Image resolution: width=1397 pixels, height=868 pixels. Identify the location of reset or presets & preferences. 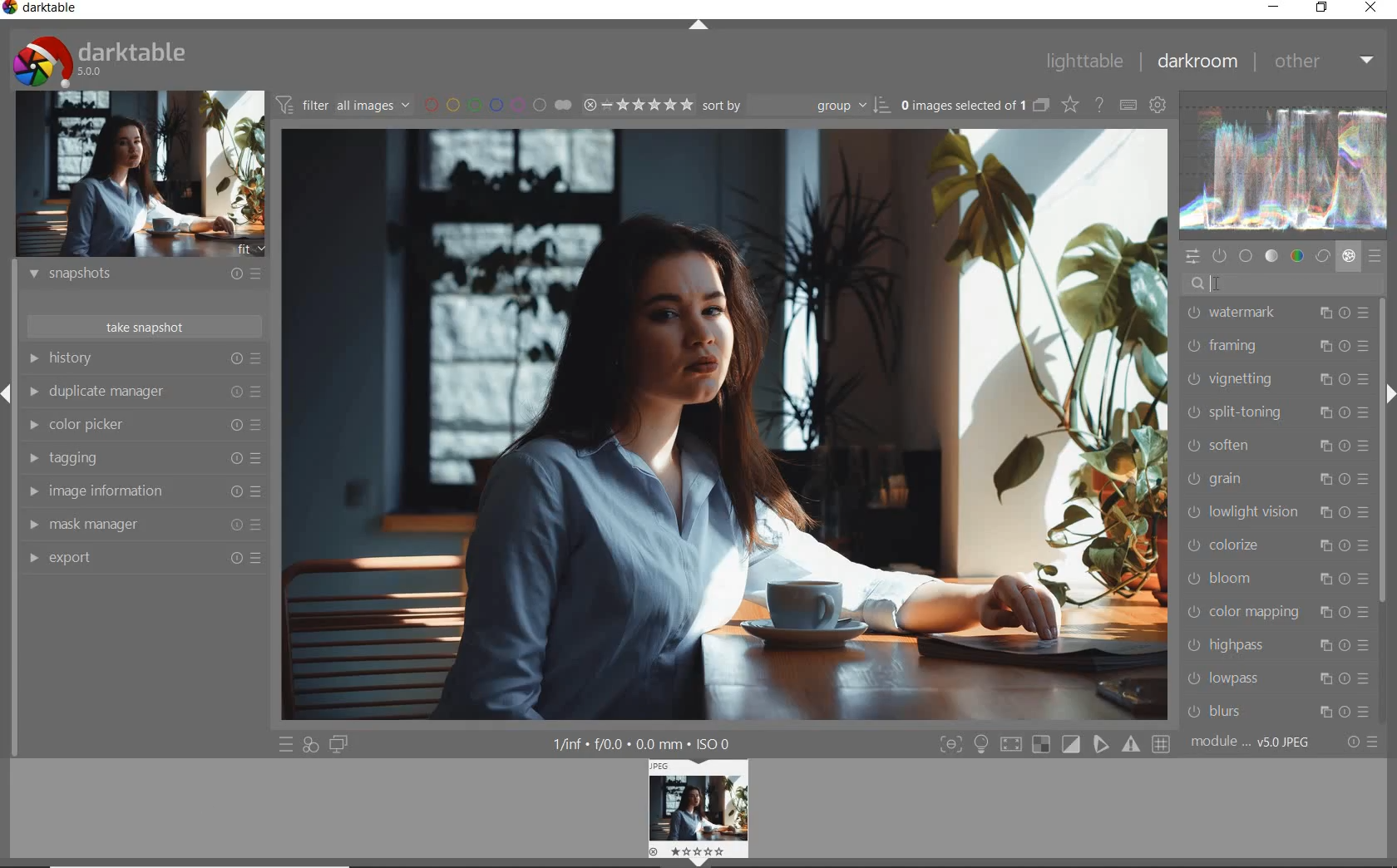
(1362, 742).